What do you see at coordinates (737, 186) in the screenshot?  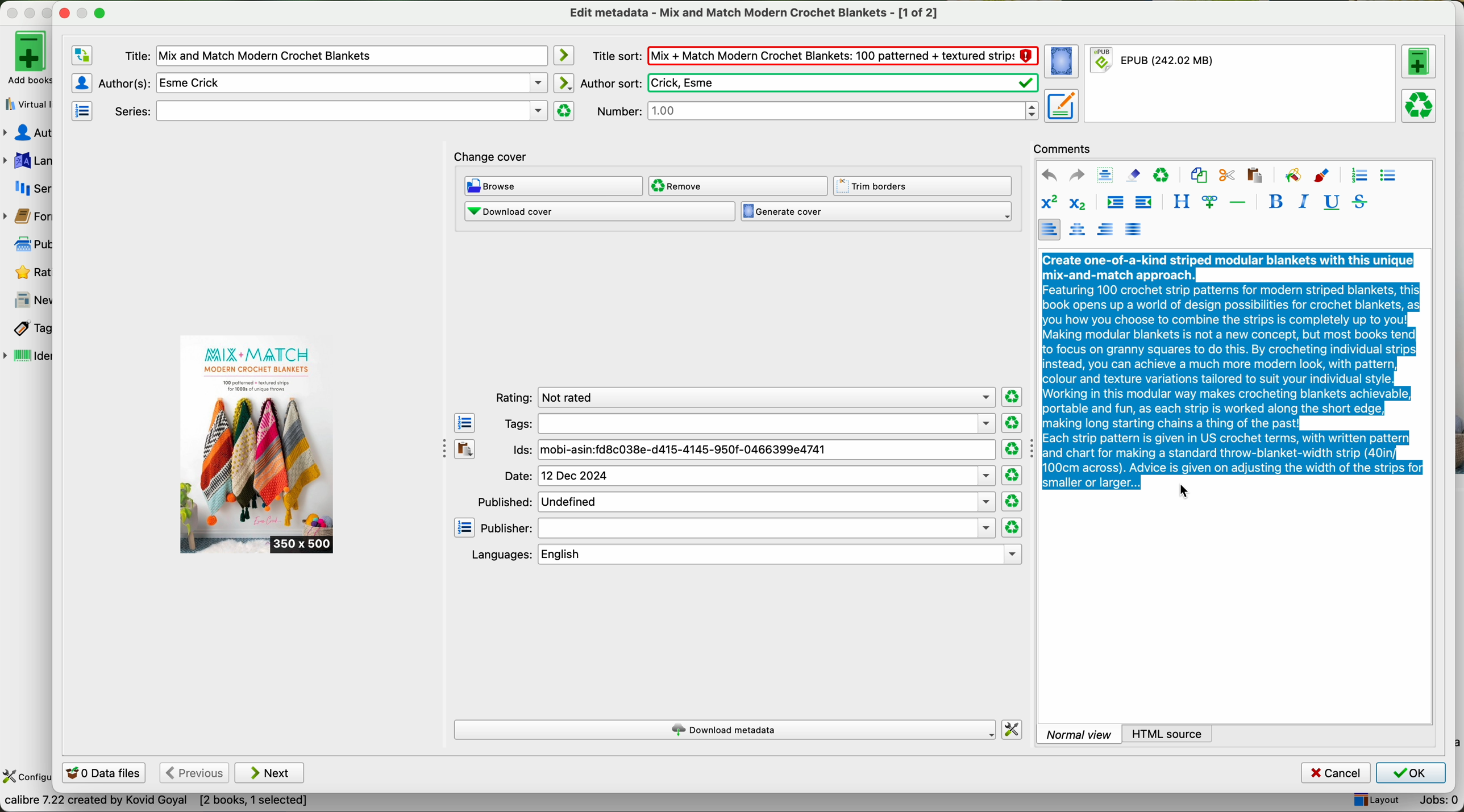 I see `remove` at bounding box center [737, 186].